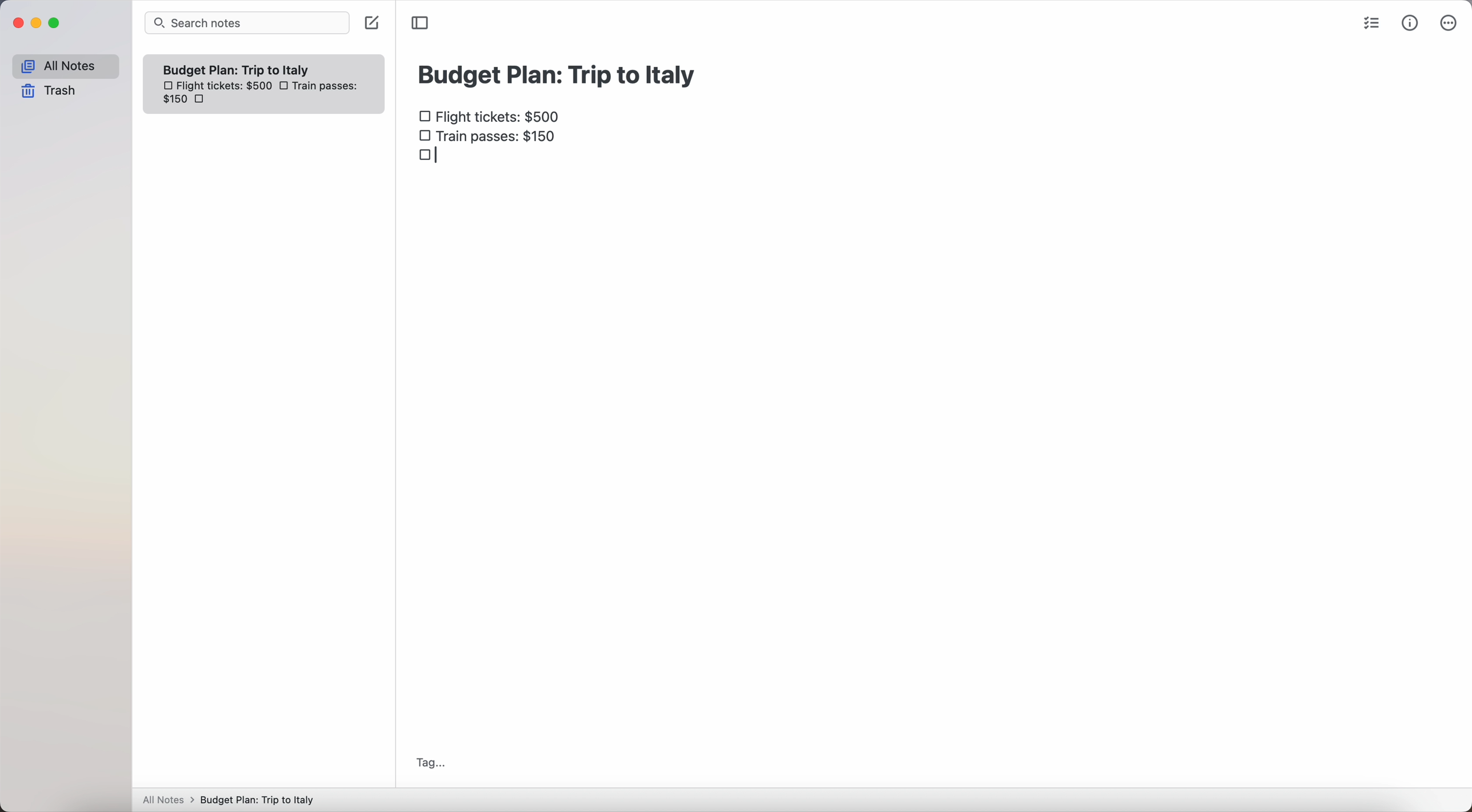 The image size is (1472, 812). What do you see at coordinates (39, 23) in the screenshot?
I see `minimize` at bounding box center [39, 23].